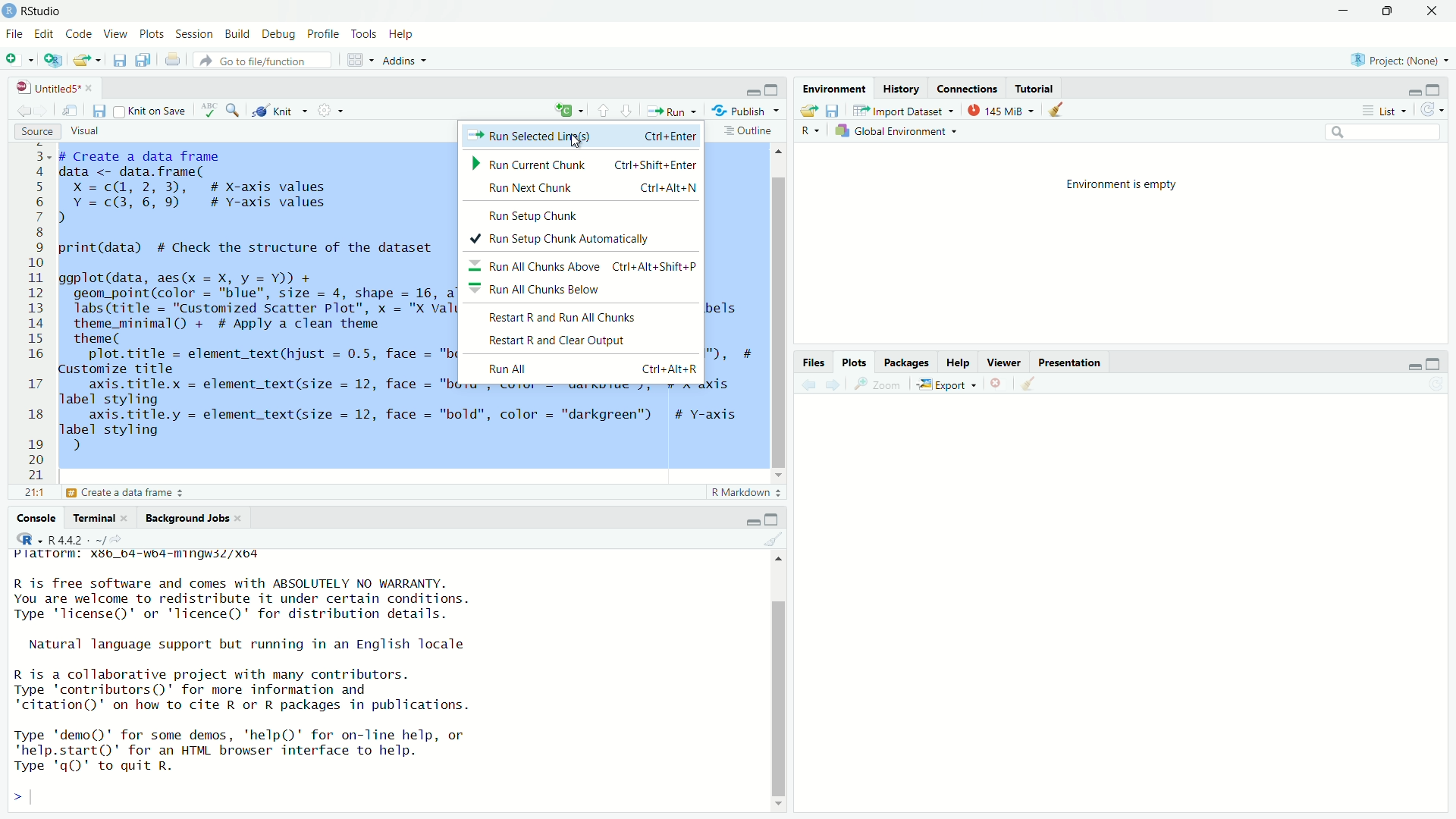  Describe the element at coordinates (579, 190) in the screenshot. I see `Run Next Chunk` at that location.